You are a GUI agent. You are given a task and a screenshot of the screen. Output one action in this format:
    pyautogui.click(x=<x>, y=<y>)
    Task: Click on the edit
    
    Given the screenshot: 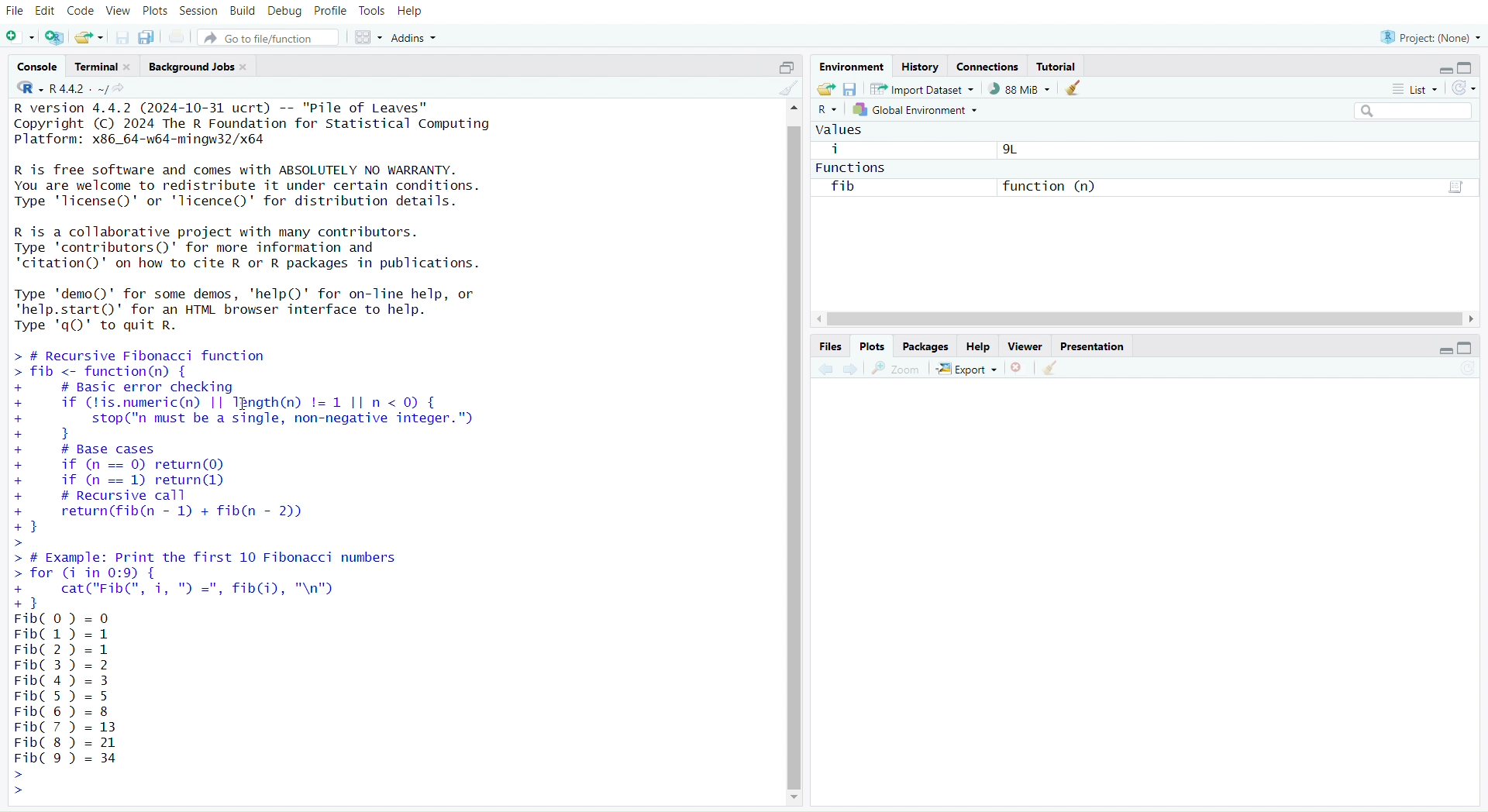 What is the action you would take?
    pyautogui.click(x=48, y=12)
    